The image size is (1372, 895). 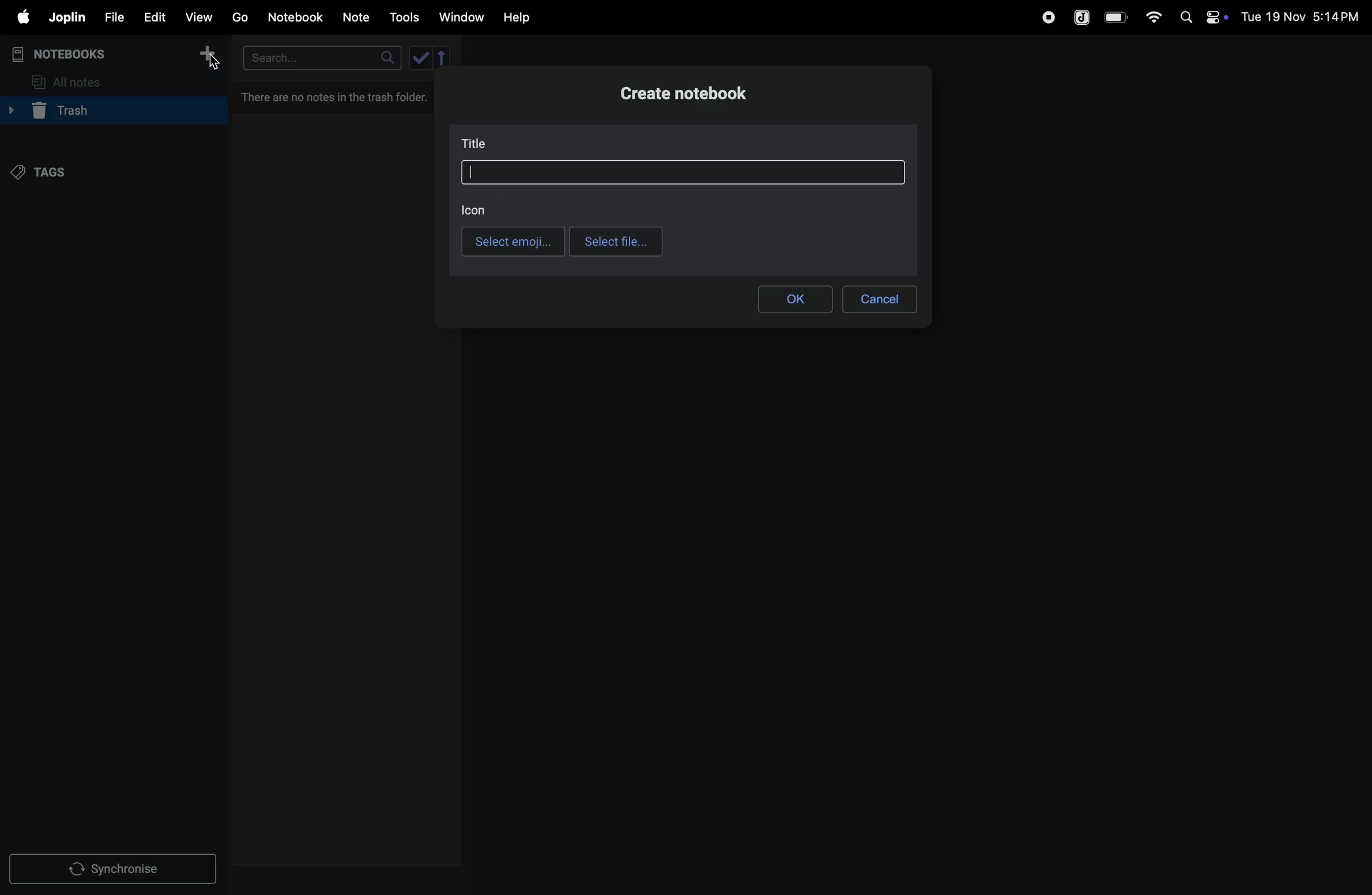 I want to click on ok, so click(x=798, y=299).